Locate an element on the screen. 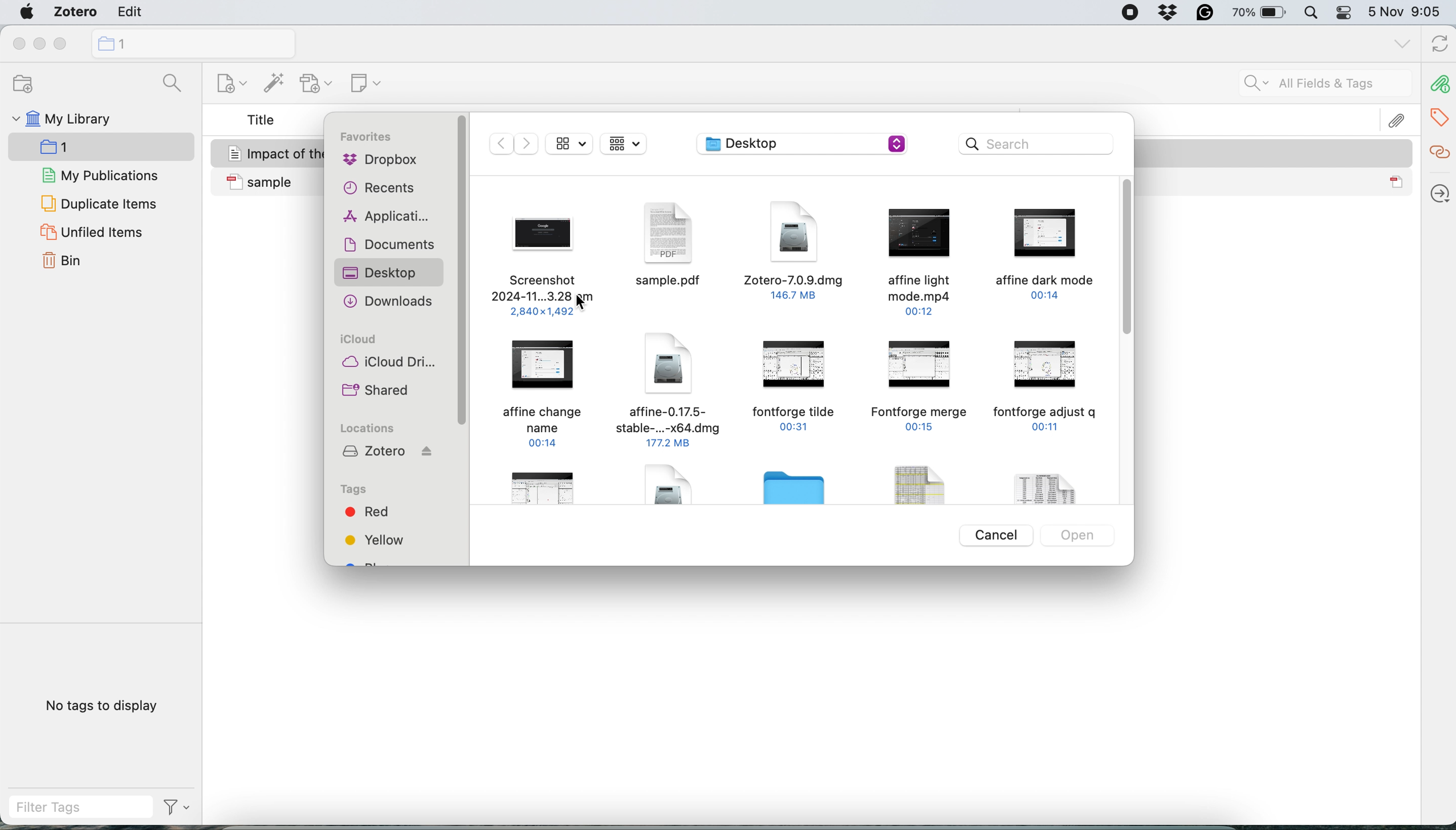 The width and height of the screenshot is (1456, 830). locate is located at coordinates (1438, 189).